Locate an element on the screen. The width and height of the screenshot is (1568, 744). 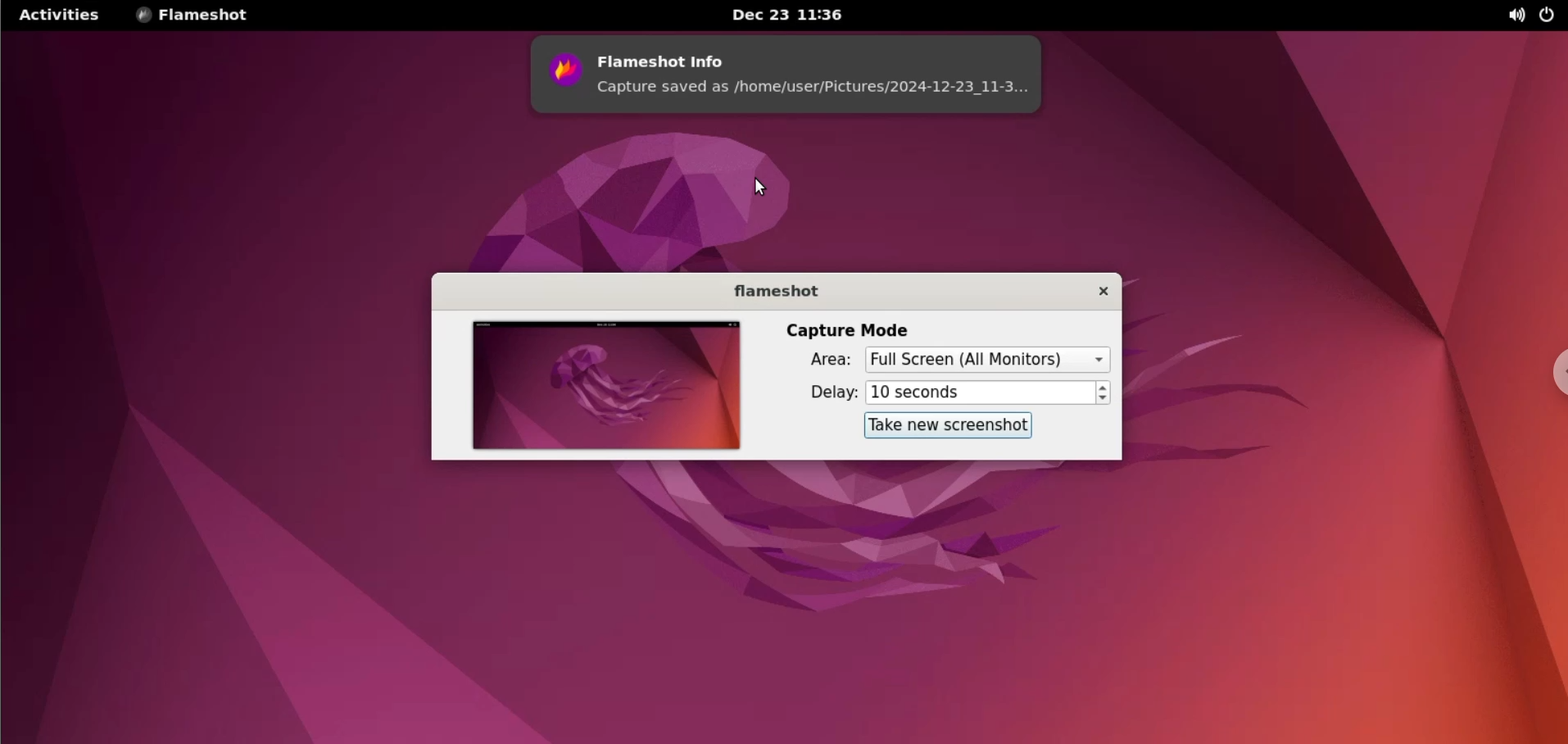
flameshot info is located at coordinates (815, 54).